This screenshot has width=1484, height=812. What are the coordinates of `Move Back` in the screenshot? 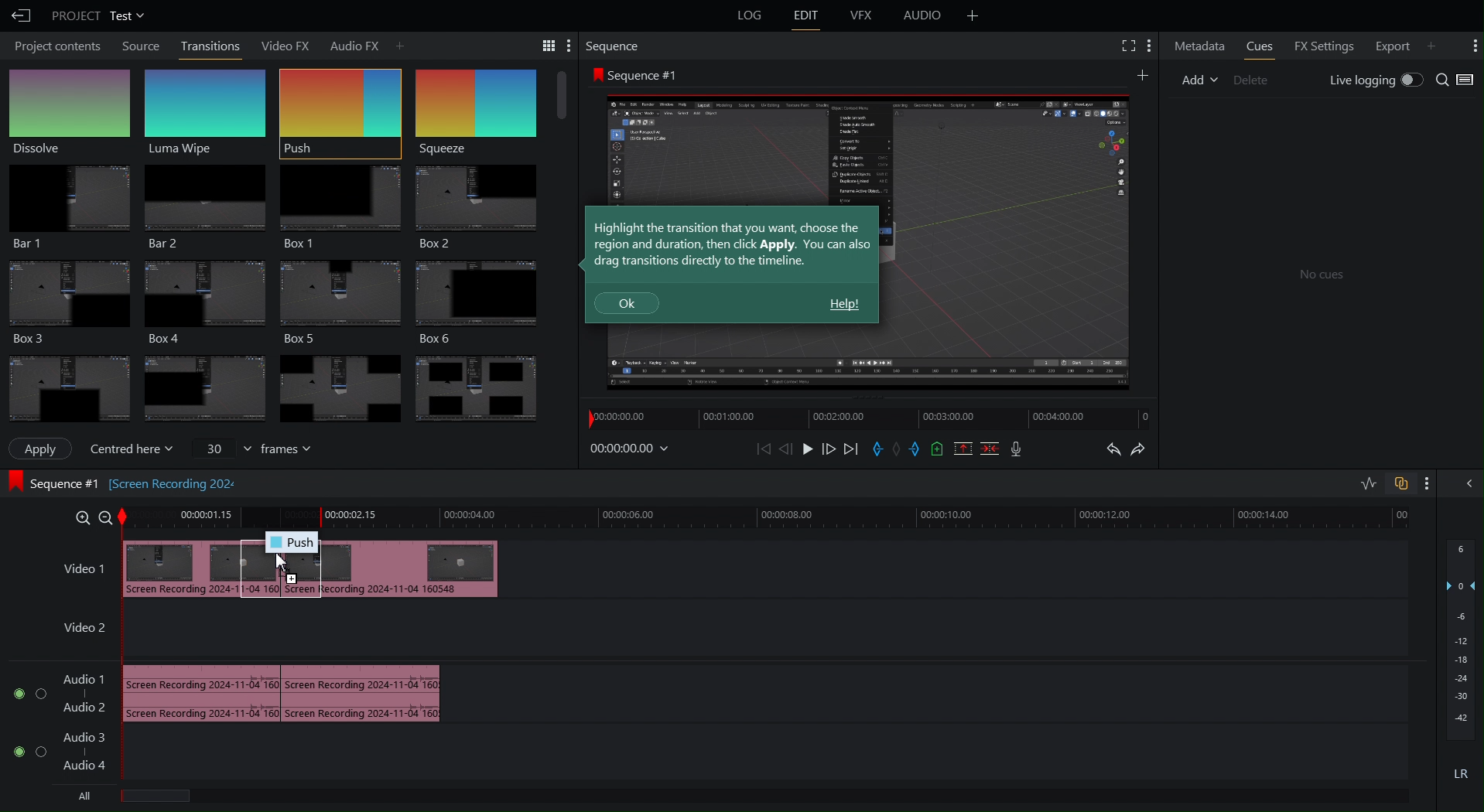 It's located at (787, 449).